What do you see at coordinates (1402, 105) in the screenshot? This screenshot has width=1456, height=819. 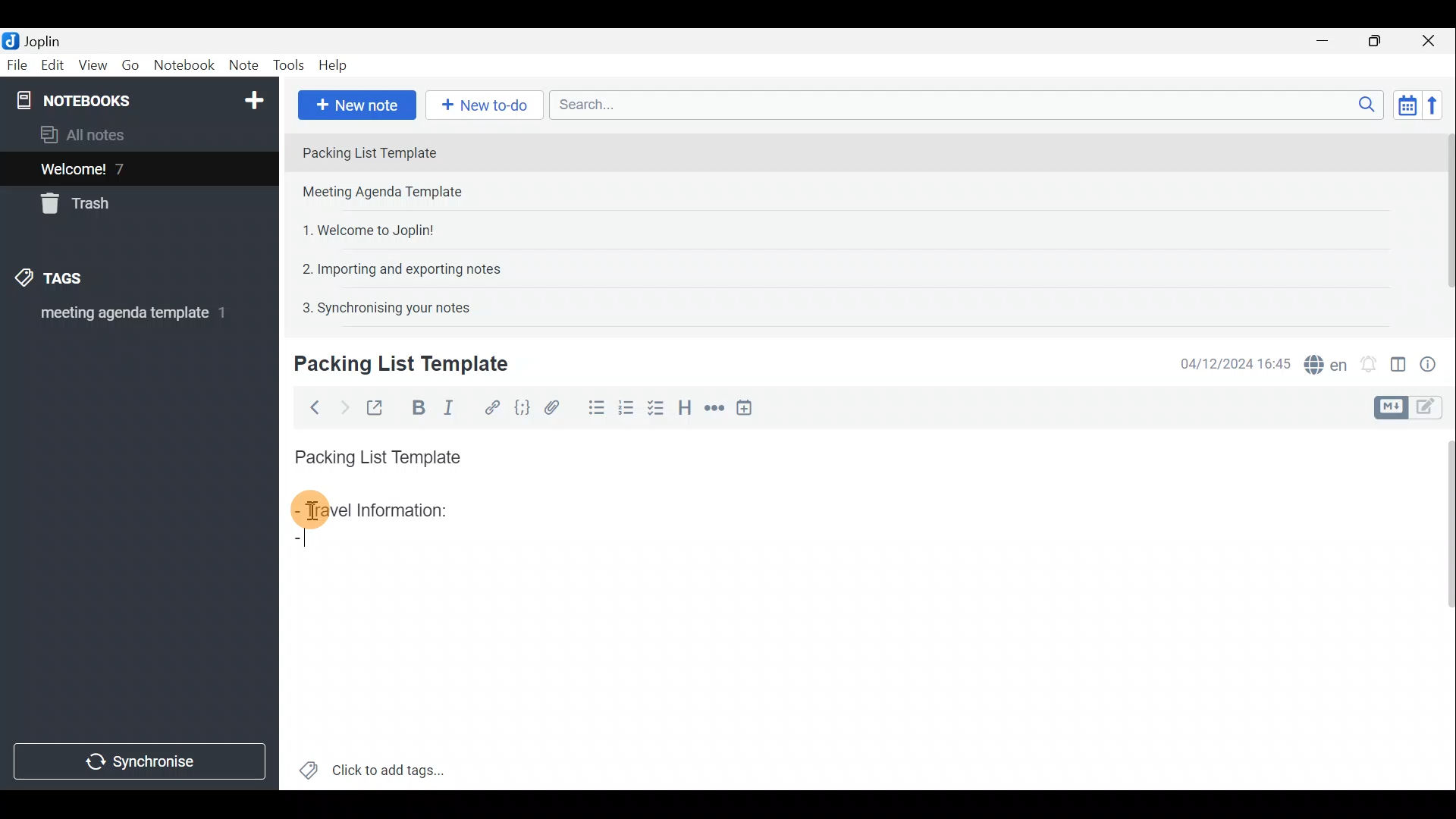 I see `Toggle sort order field` at bounding box center [1402, 105].